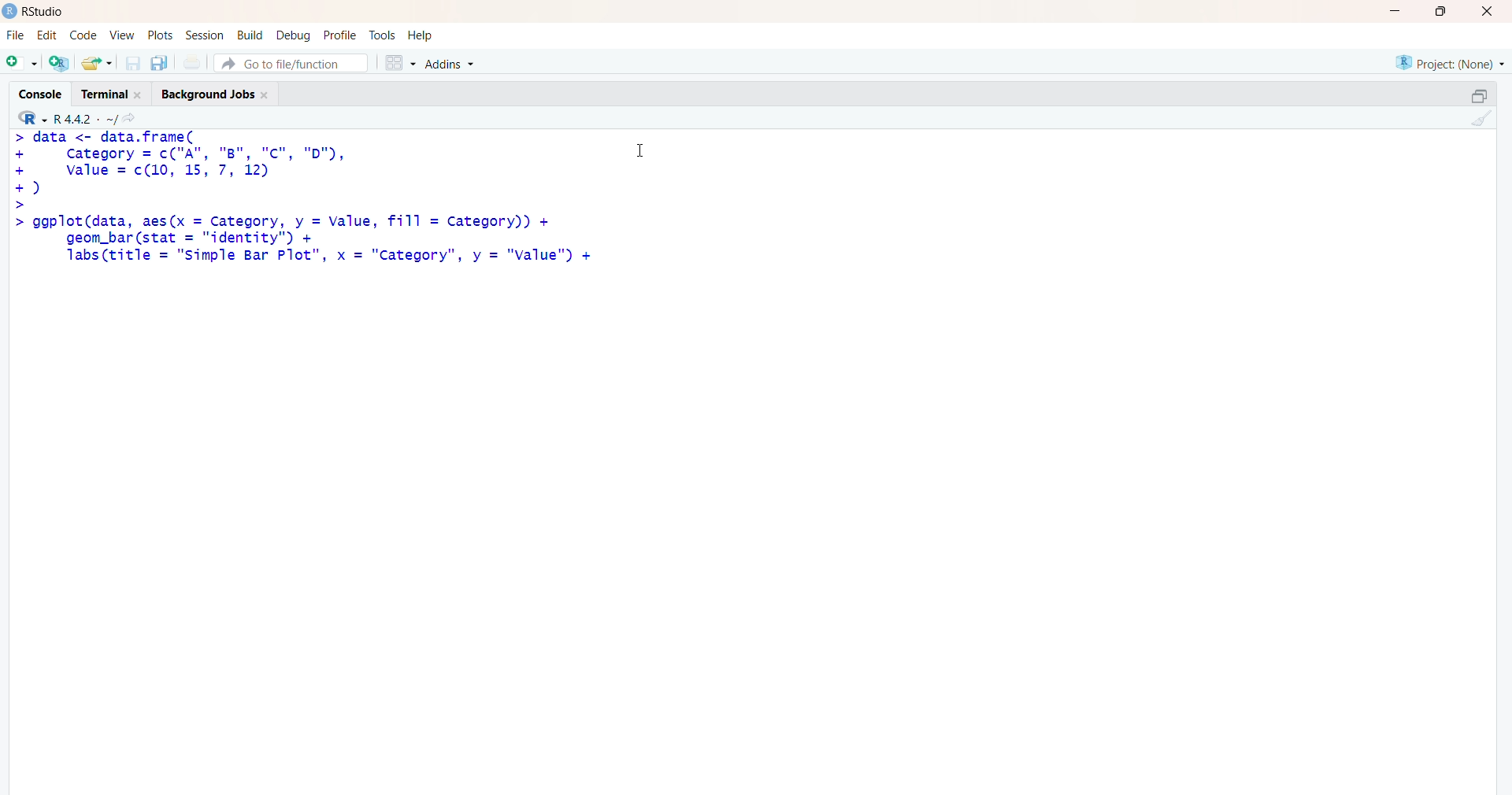  I want to click on Cursor, so click(641, 148).